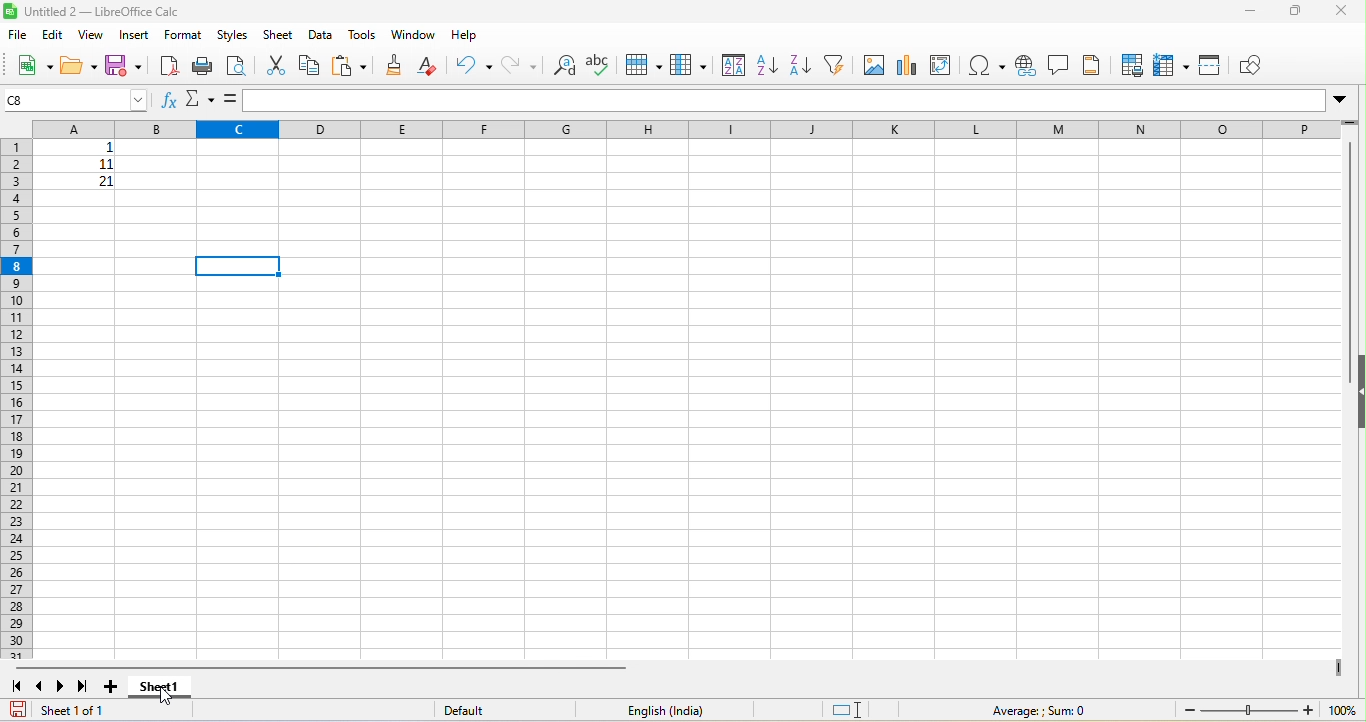  What do you see at coordinates (833, 64) in the screenshot?
I see `filter` at bounding box center [833, 64].